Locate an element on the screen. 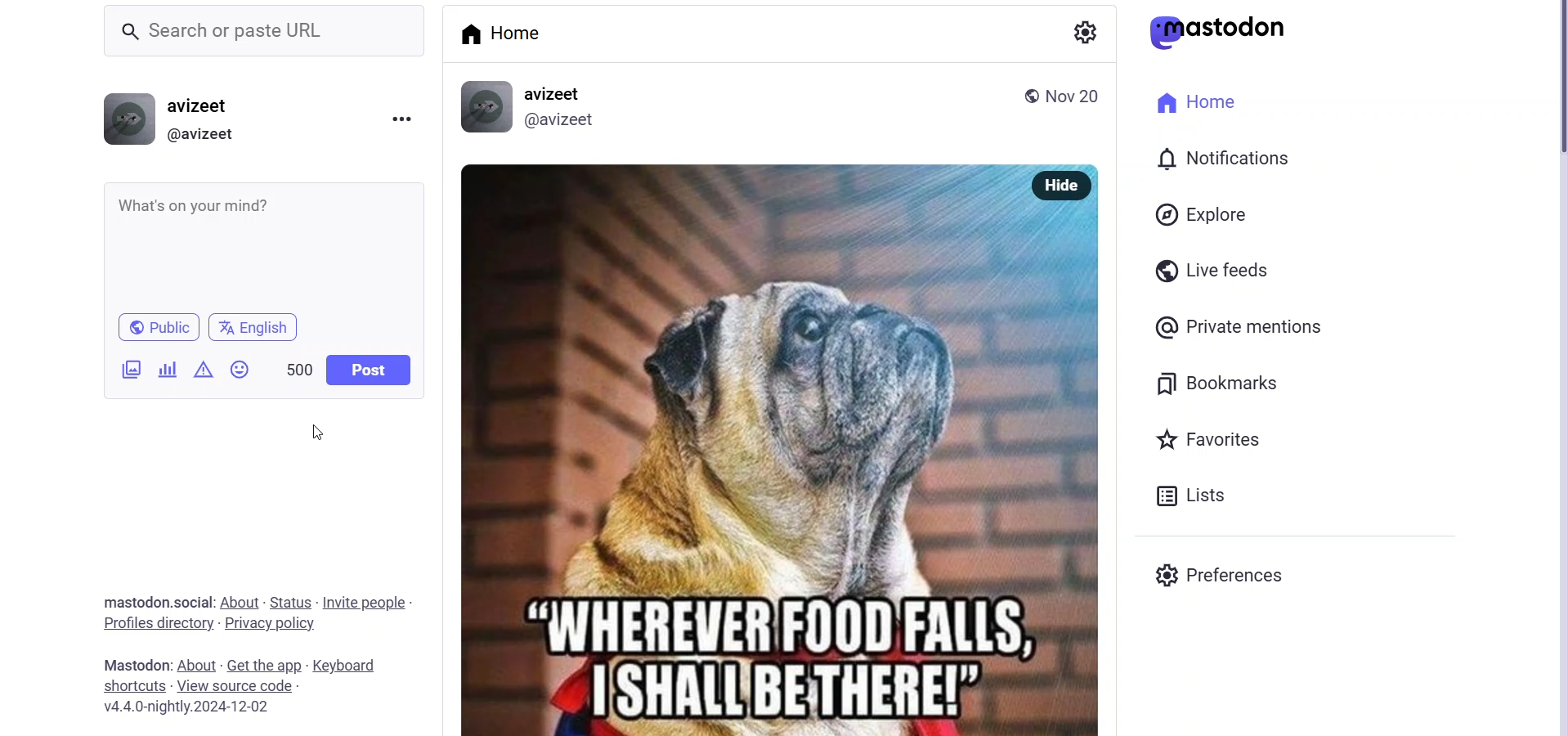 The width and height of the screenshot is (1568, 736). invite people is located at coordinates (365, 603).